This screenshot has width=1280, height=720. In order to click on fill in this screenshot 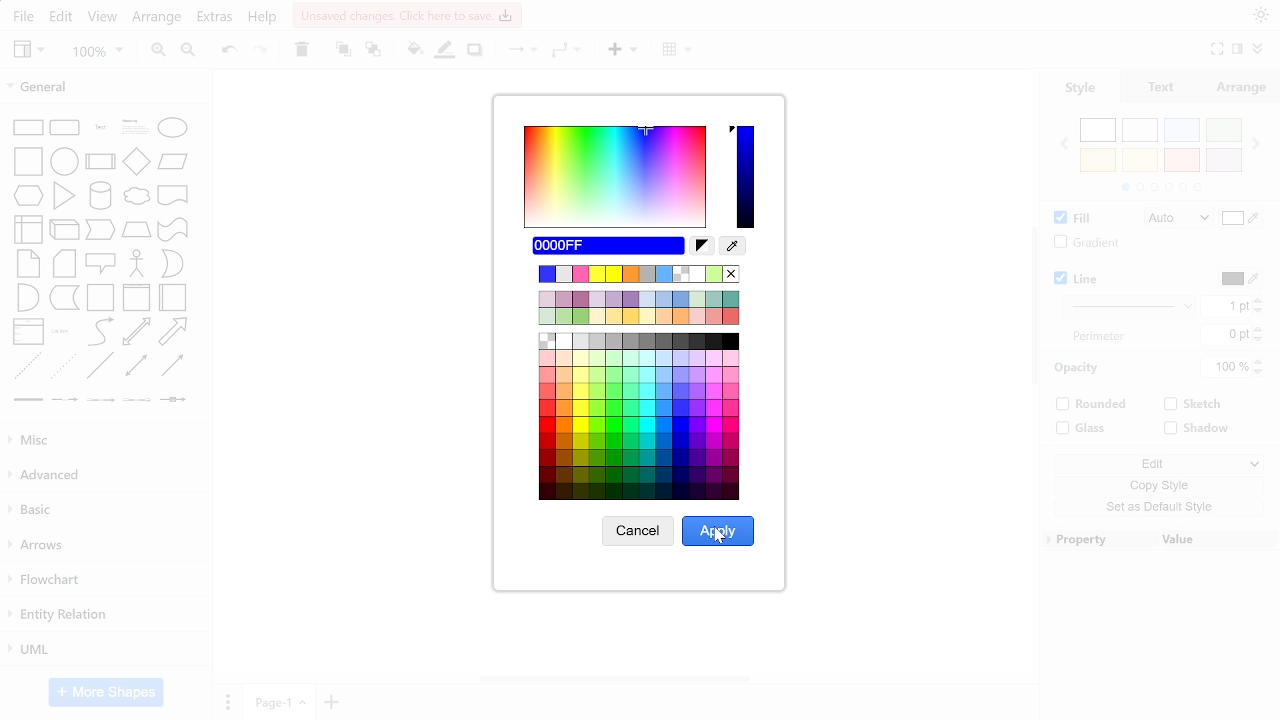, I will do `click(1070, 219)`.